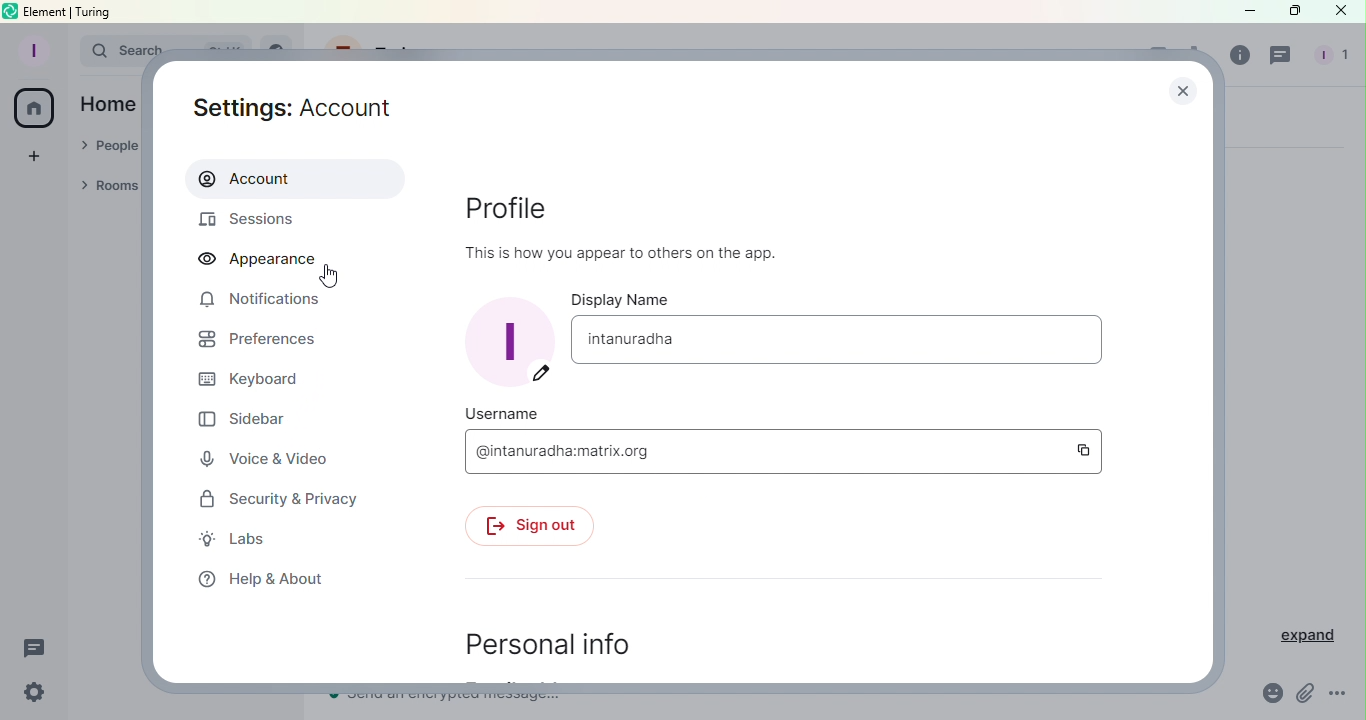 Image resolution: width=1366 pixels, height=720 pixels. What do you see at coordinates (622, 228) in the screenshot?
I see `Profile` at bounding box center [622, 228].